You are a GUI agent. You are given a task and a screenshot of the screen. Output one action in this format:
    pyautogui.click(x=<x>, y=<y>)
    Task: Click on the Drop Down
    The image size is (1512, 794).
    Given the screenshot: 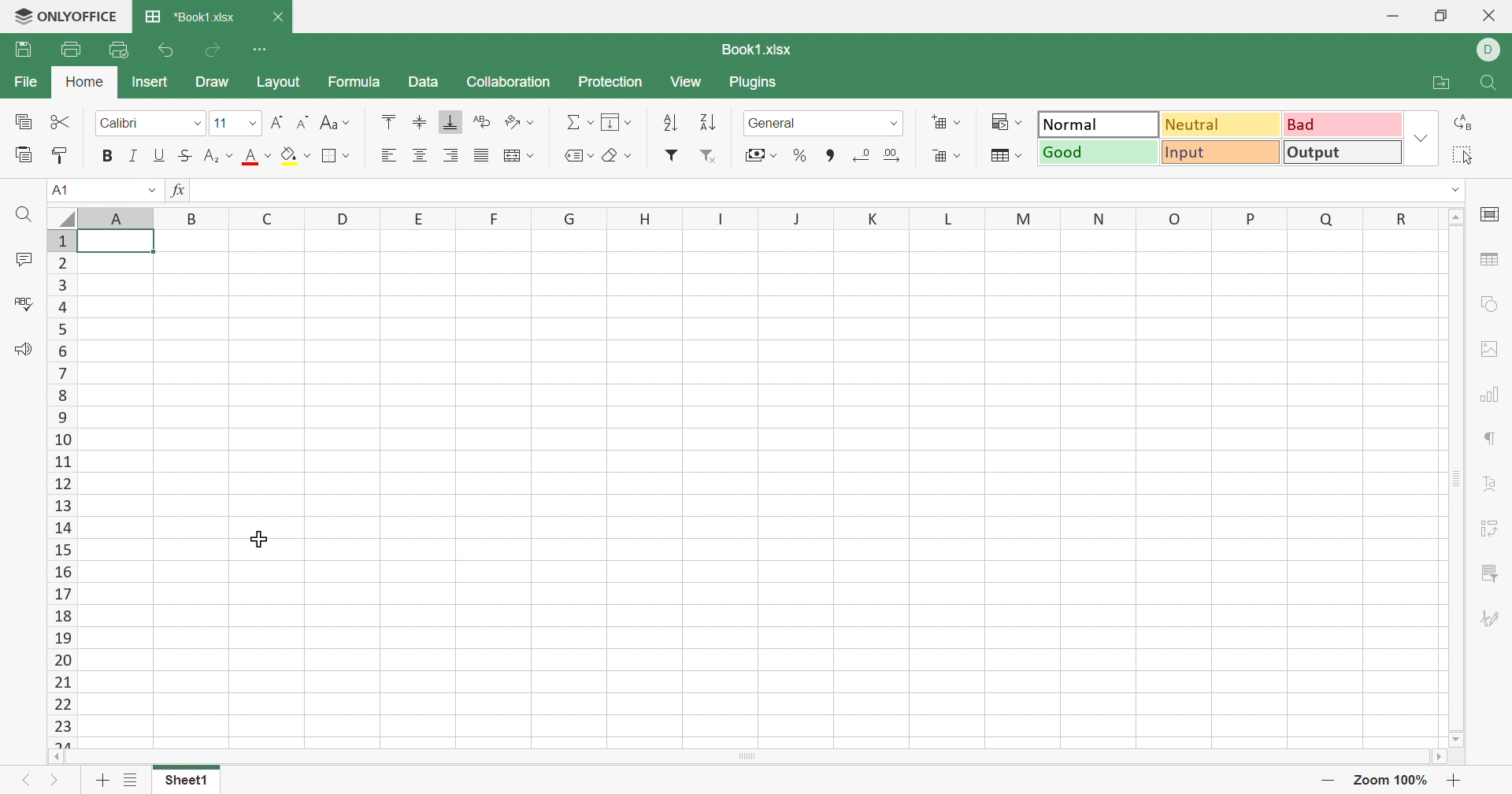 What is the action you would take?
    pyautogui.click(x=1458, y=187)
    